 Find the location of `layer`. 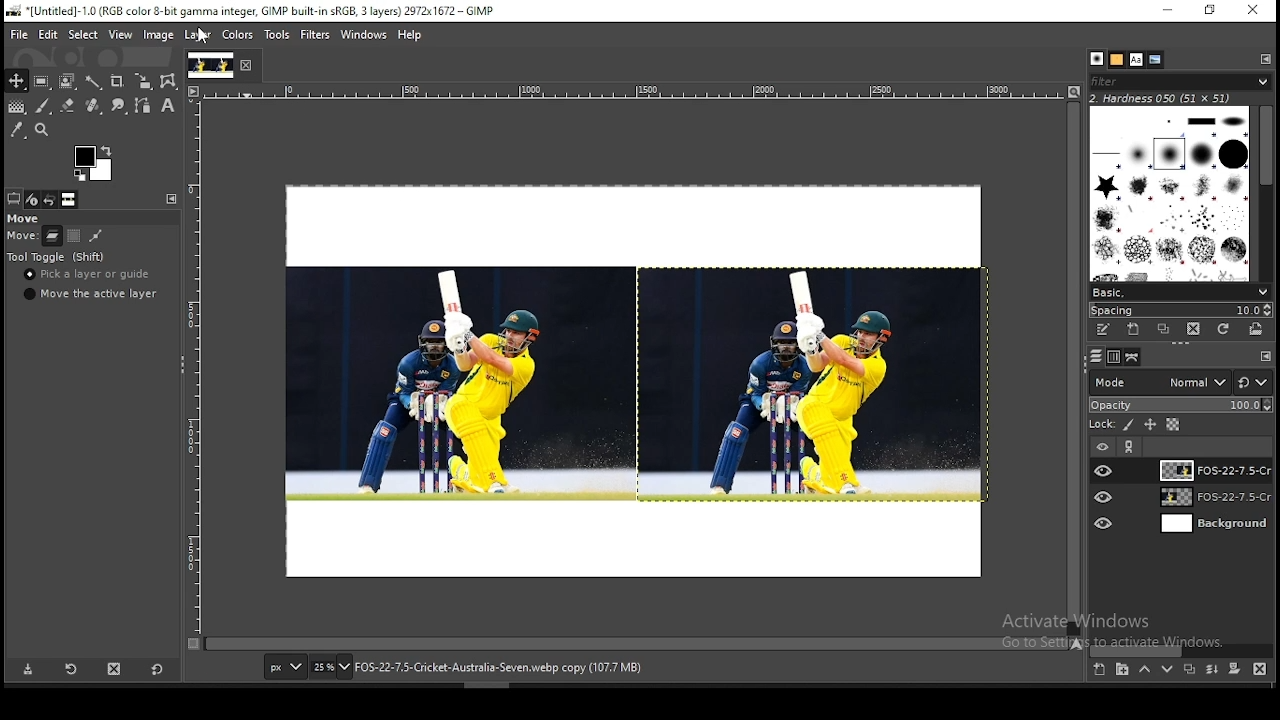

layer is located at coordinates (196, 36).